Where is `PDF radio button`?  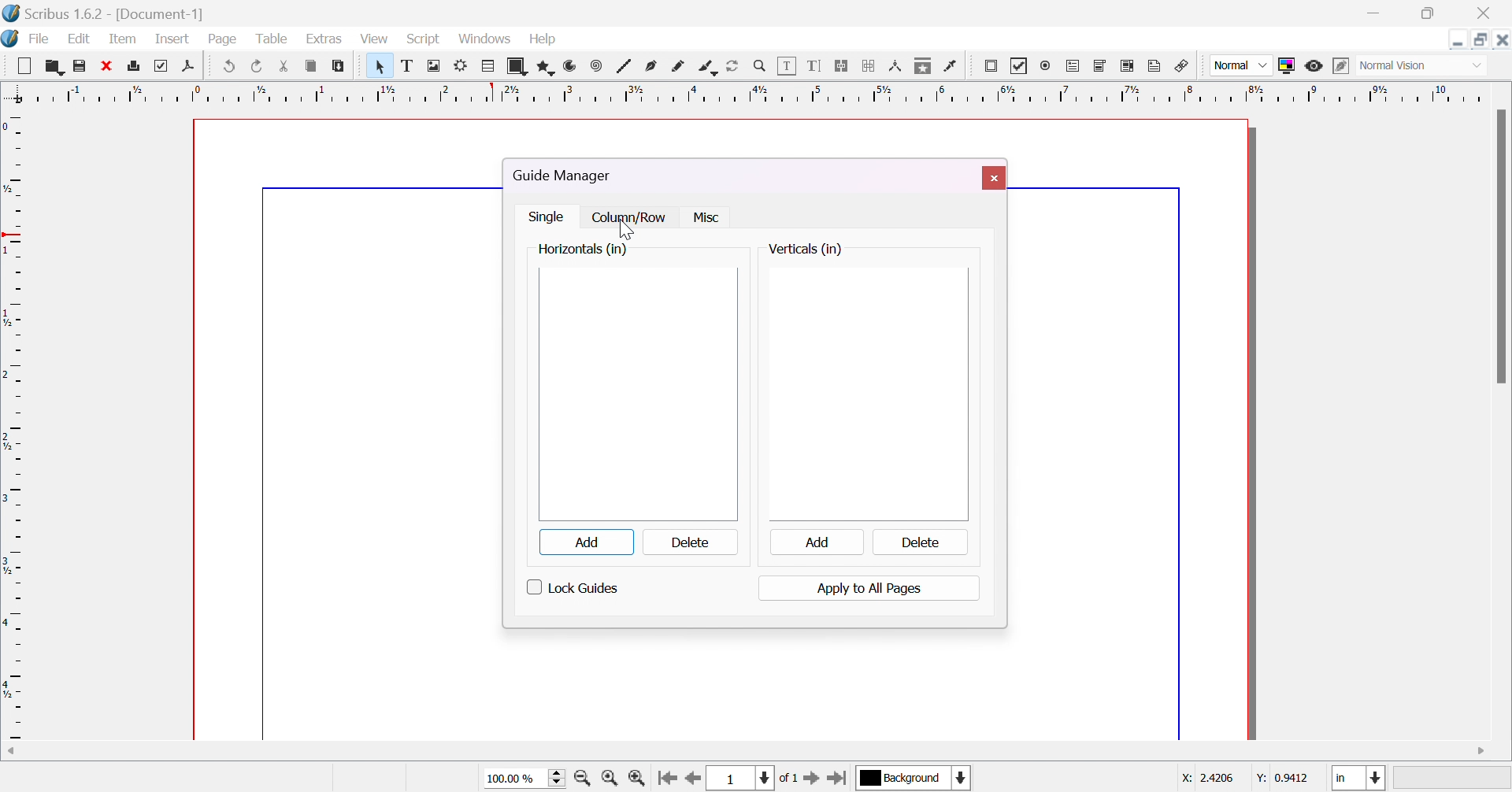
PDF radio button is located at coordinates (1047, 66).